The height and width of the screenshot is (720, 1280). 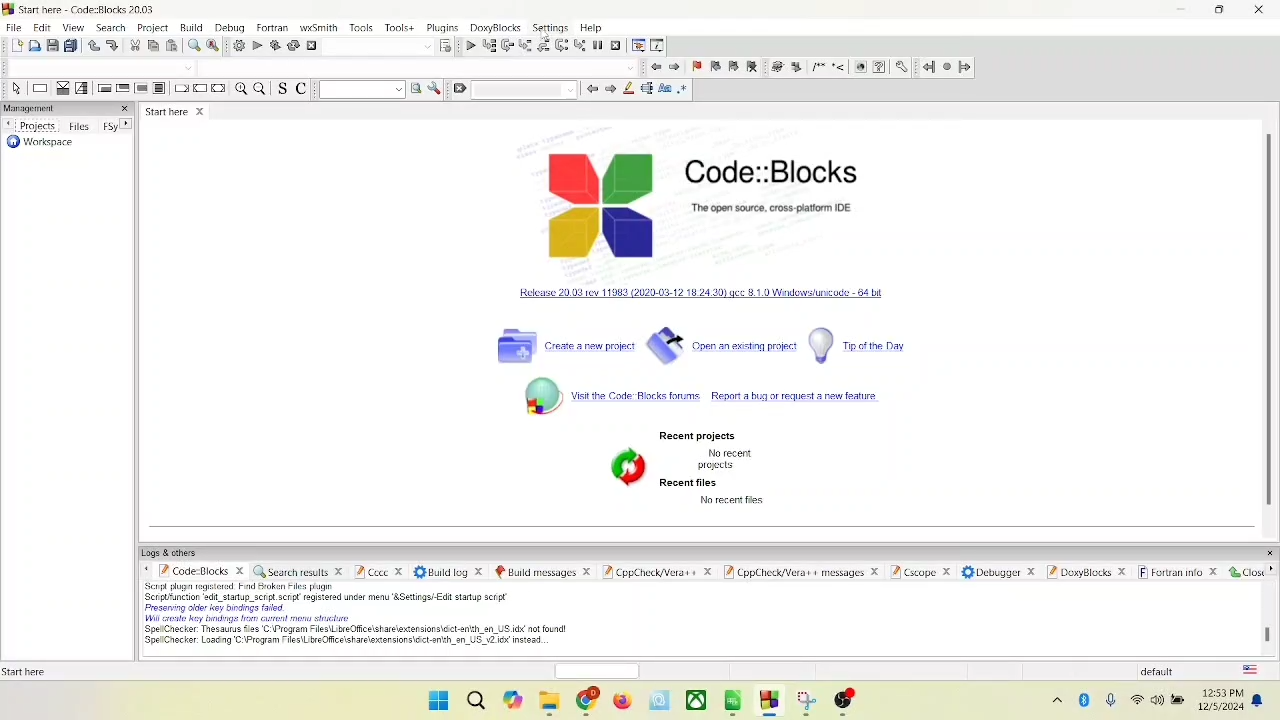 What do you see at coordinates (400, 27) in the screenshot?
I see `tools` at bounding box center [400, 27].